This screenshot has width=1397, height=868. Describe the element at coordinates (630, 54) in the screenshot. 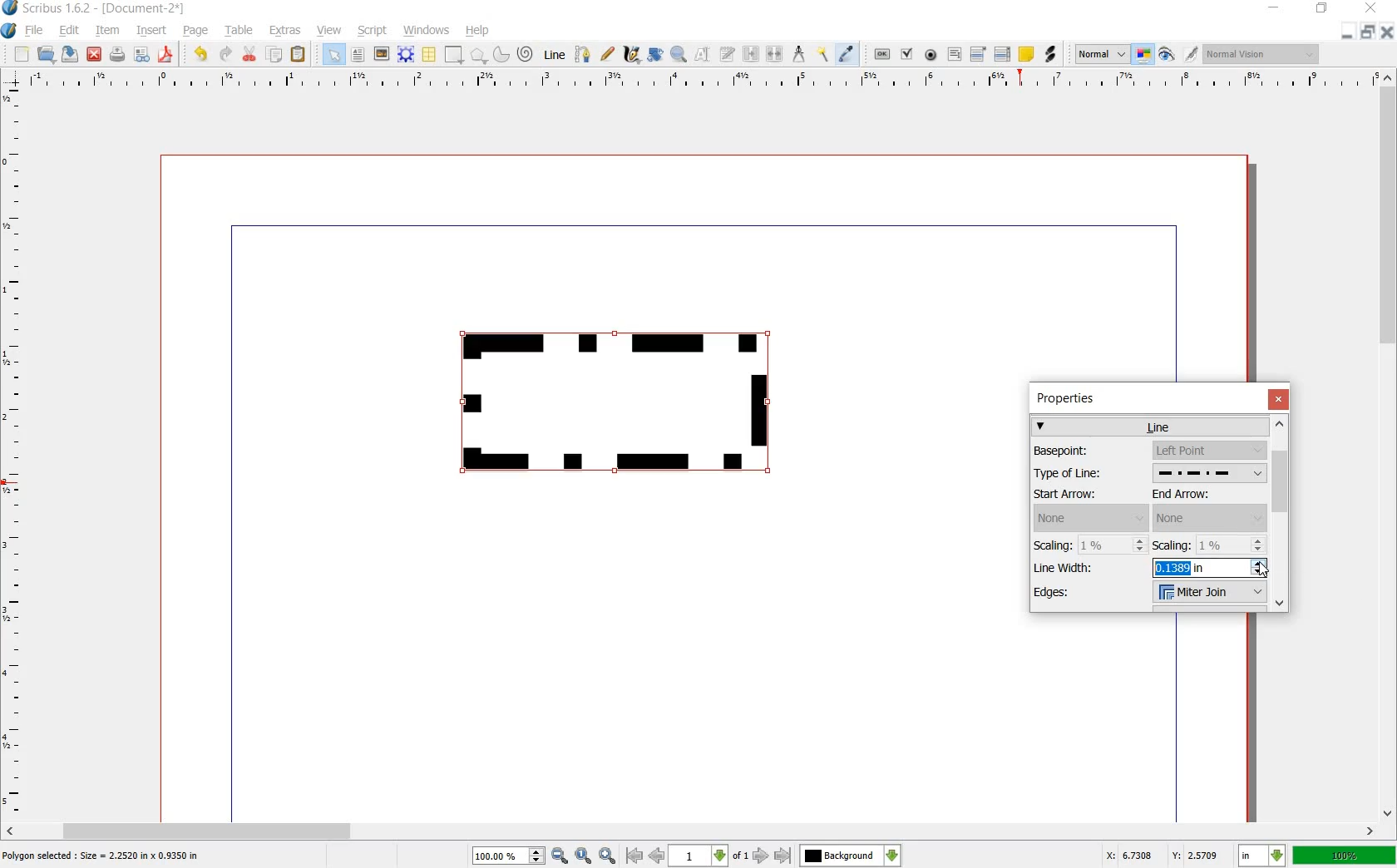

I see `CALLIGRAPHIC LINE` at that location.